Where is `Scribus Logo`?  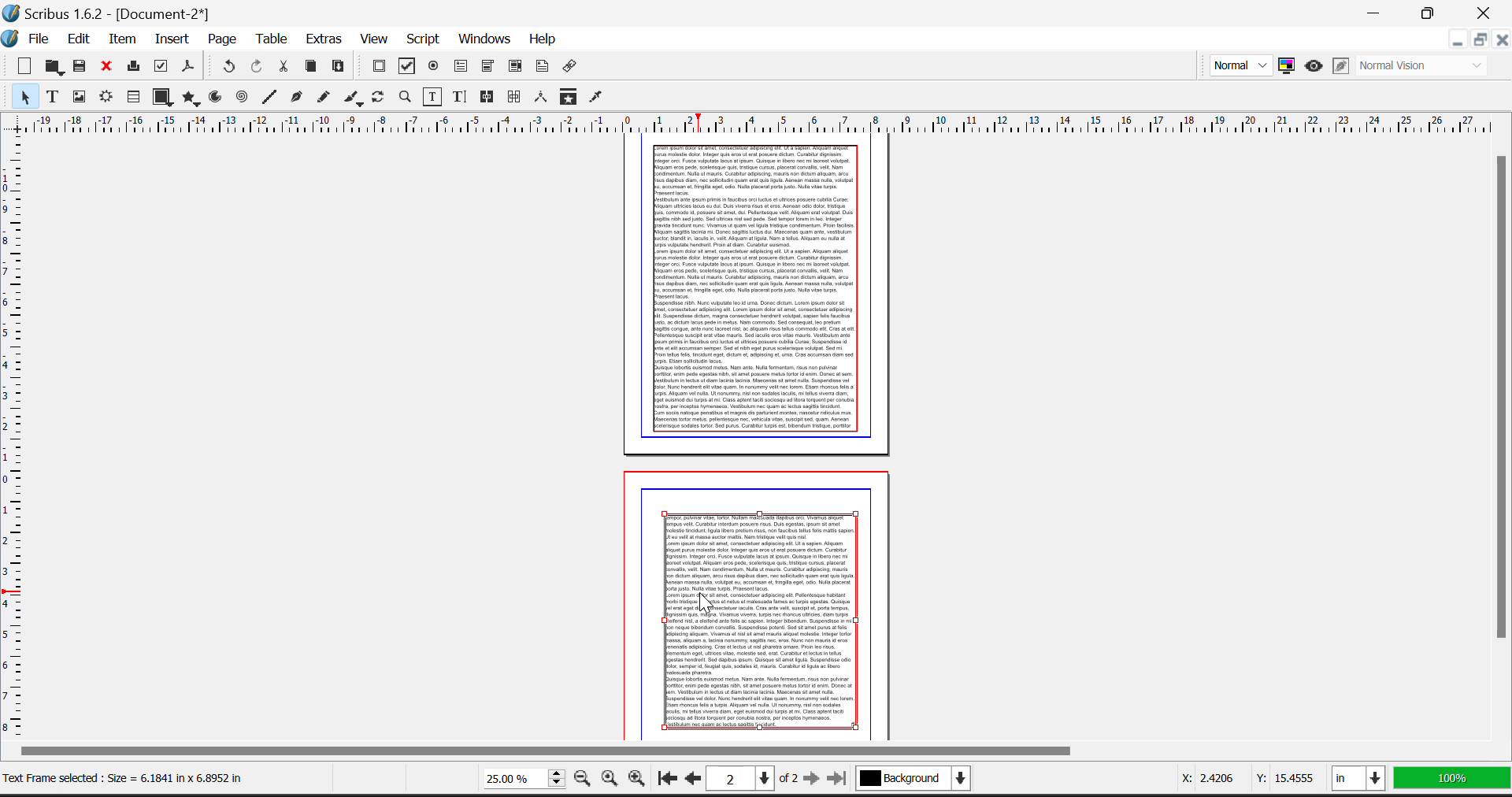
Scribus Logo is located at coordinates (11, 39).